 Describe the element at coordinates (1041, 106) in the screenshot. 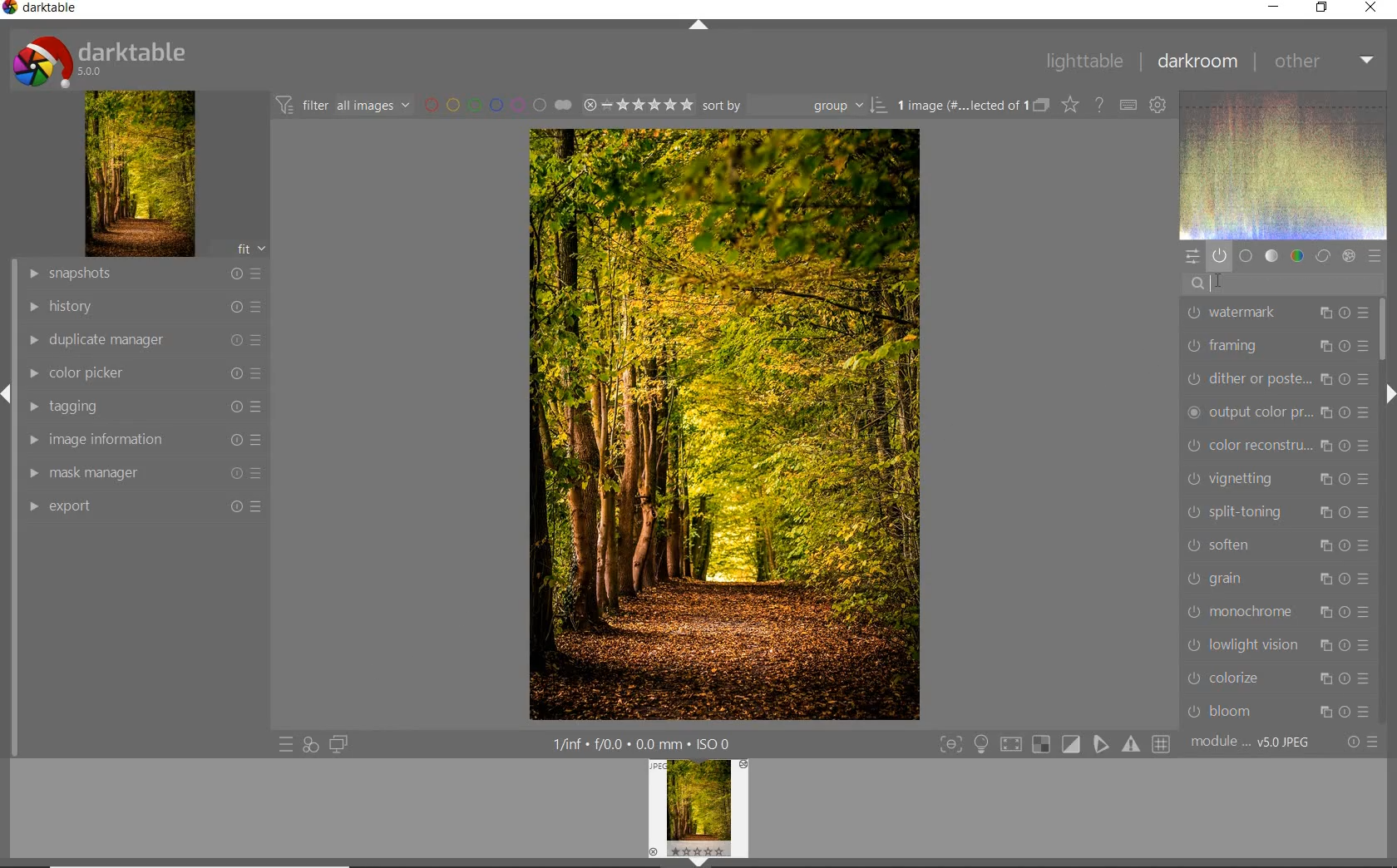

I see `collapse grouped image` at that location.